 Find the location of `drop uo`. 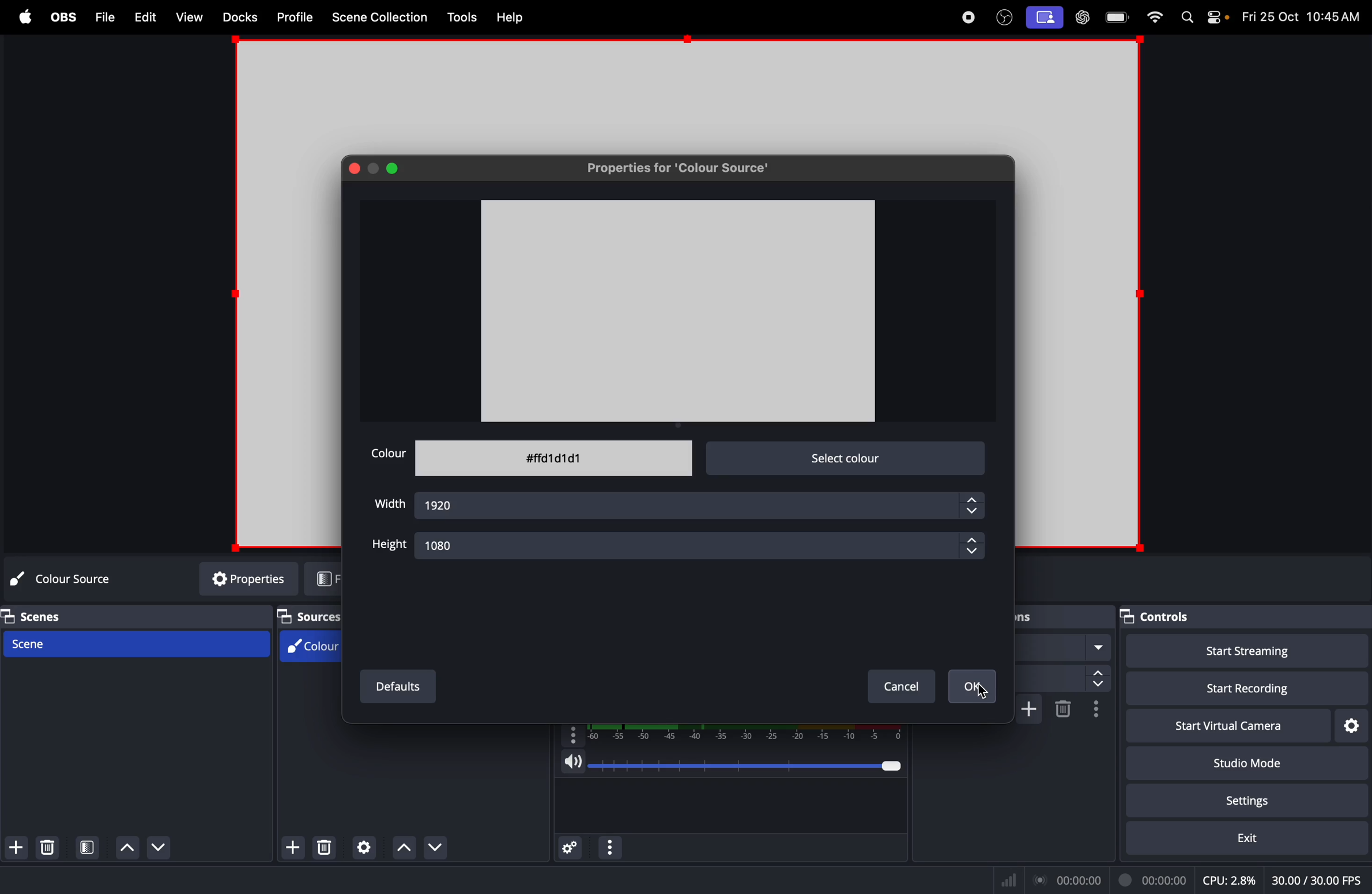

drop uo is located at coordinates (405, 849).